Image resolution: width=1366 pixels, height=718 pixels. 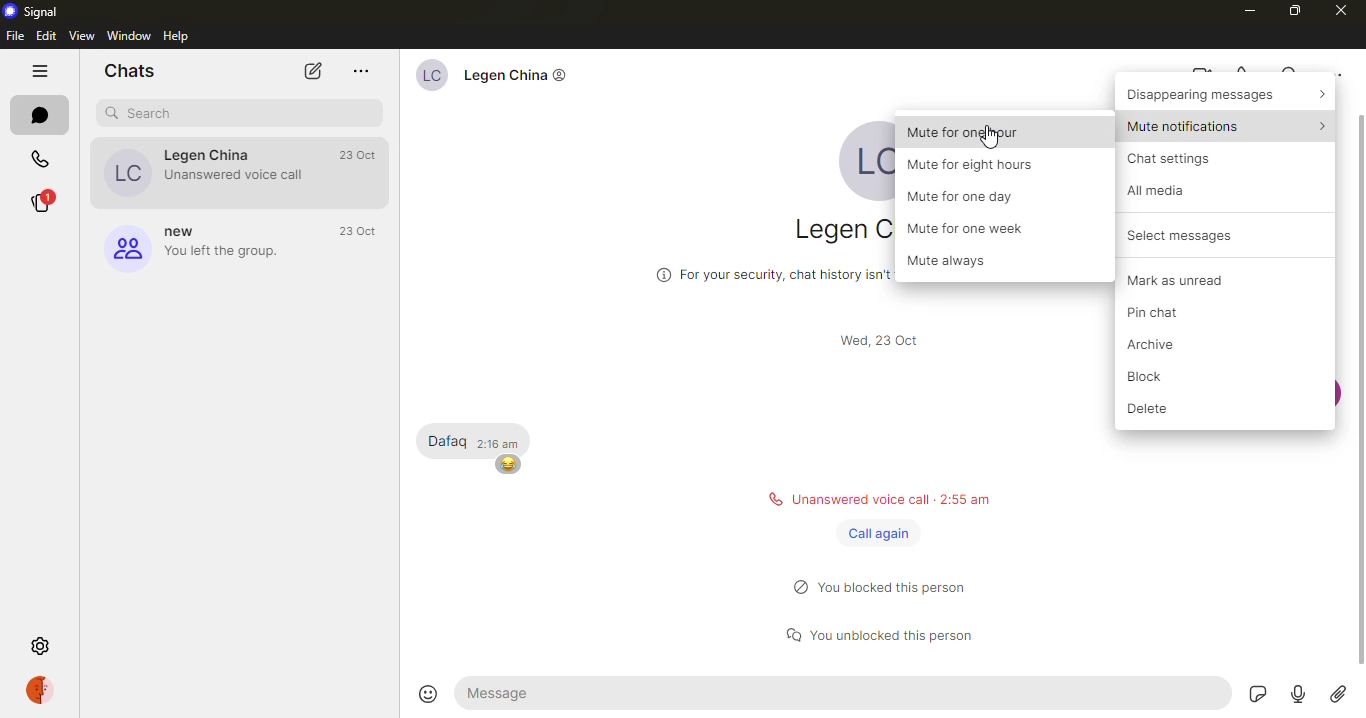 I want to click on block, so click(x=1138, y=377).